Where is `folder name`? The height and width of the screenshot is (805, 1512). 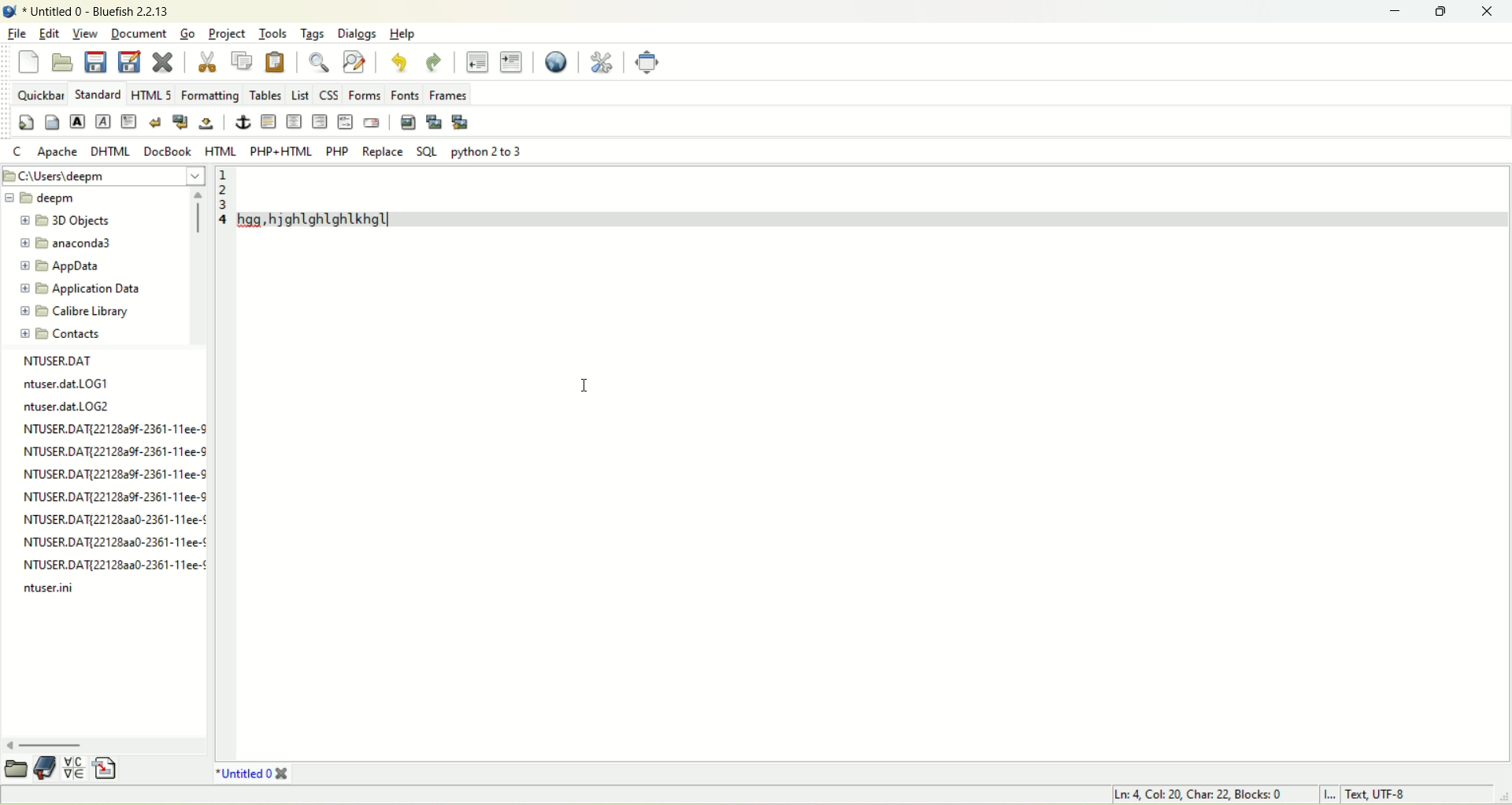
folder name is located at coordinates (85, 288).